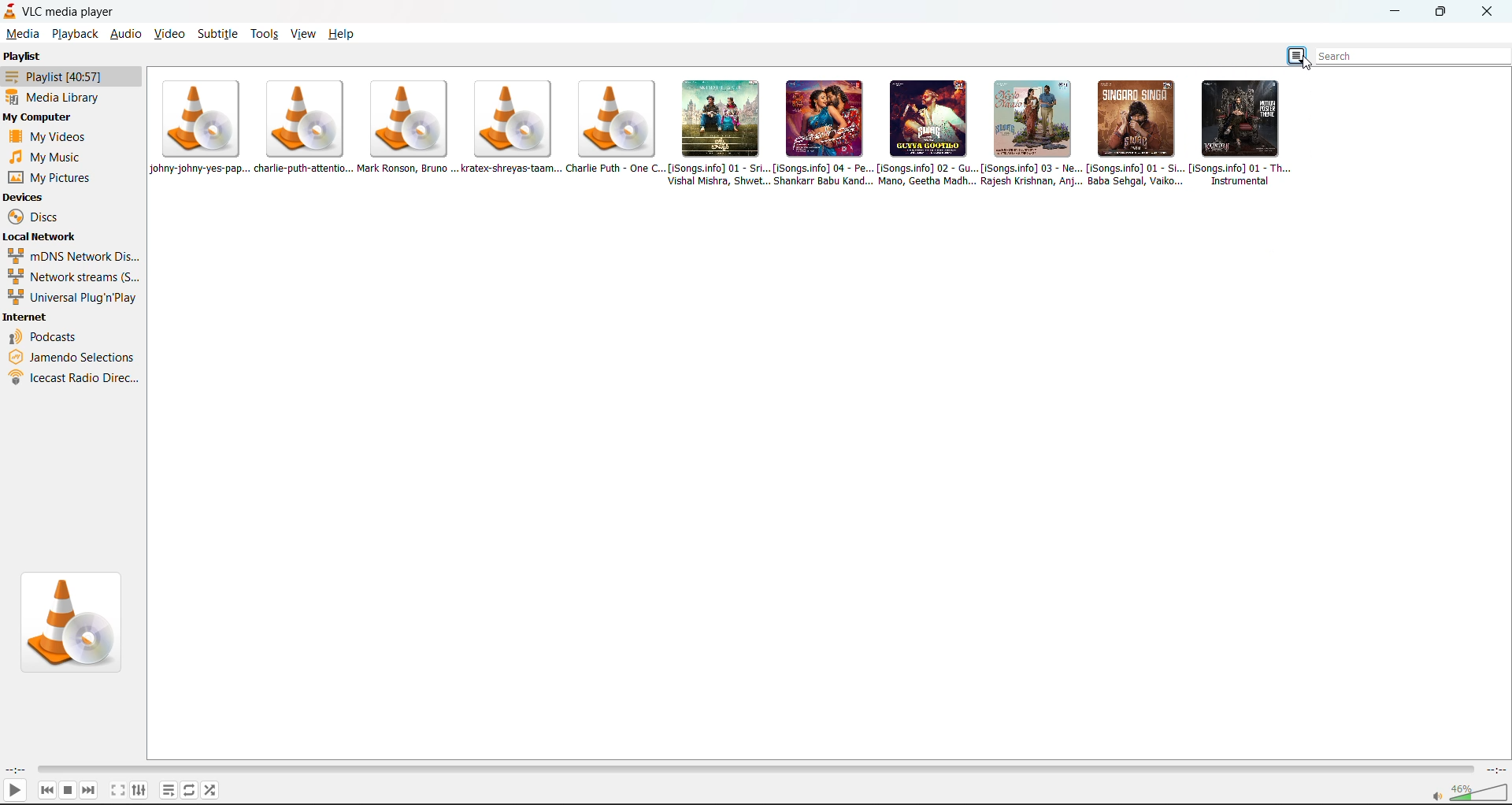 The image size is (1512, 805). I want to click on current track time, so click(15, 770).